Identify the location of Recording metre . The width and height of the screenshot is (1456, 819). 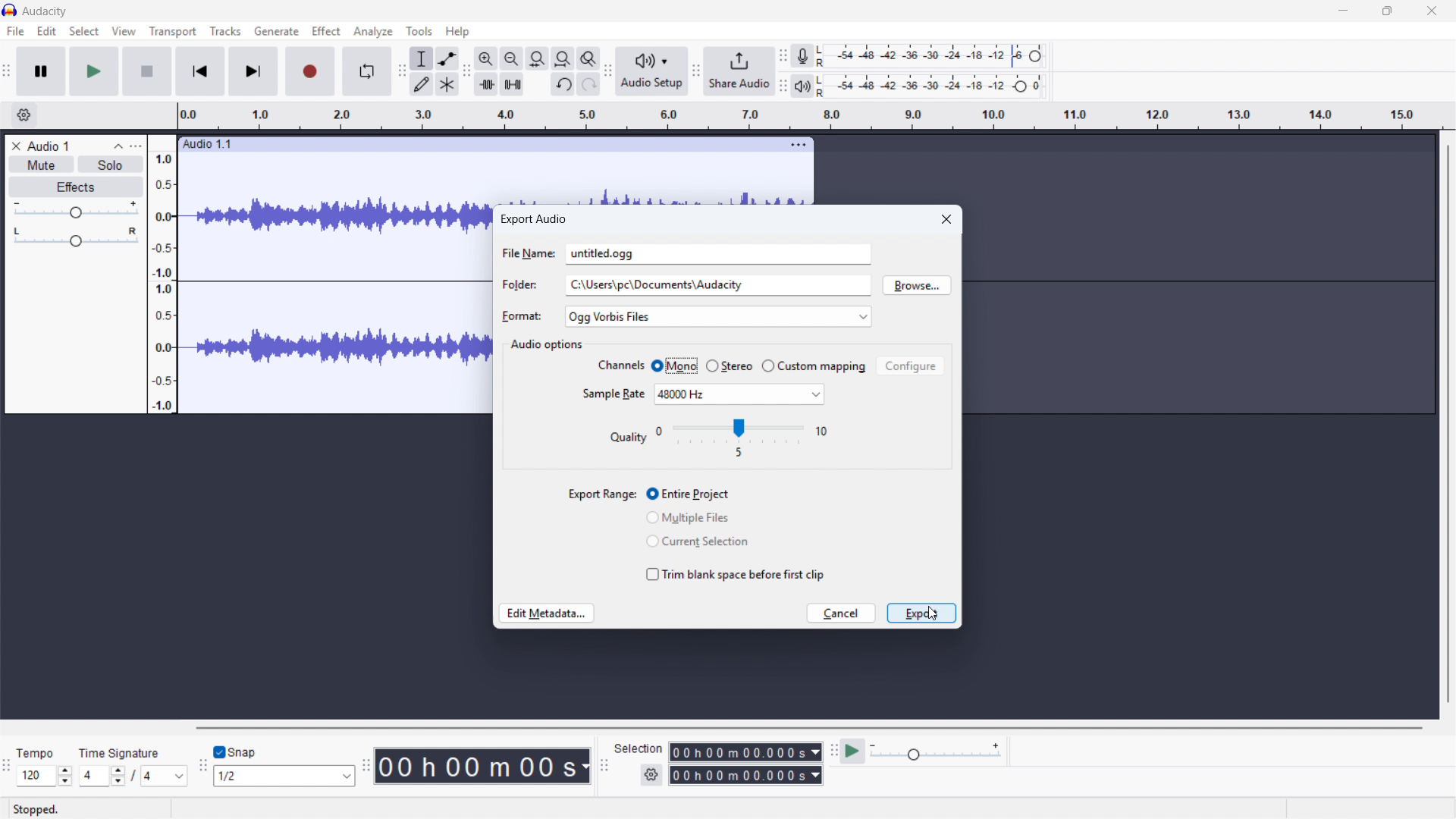
(802, 56).